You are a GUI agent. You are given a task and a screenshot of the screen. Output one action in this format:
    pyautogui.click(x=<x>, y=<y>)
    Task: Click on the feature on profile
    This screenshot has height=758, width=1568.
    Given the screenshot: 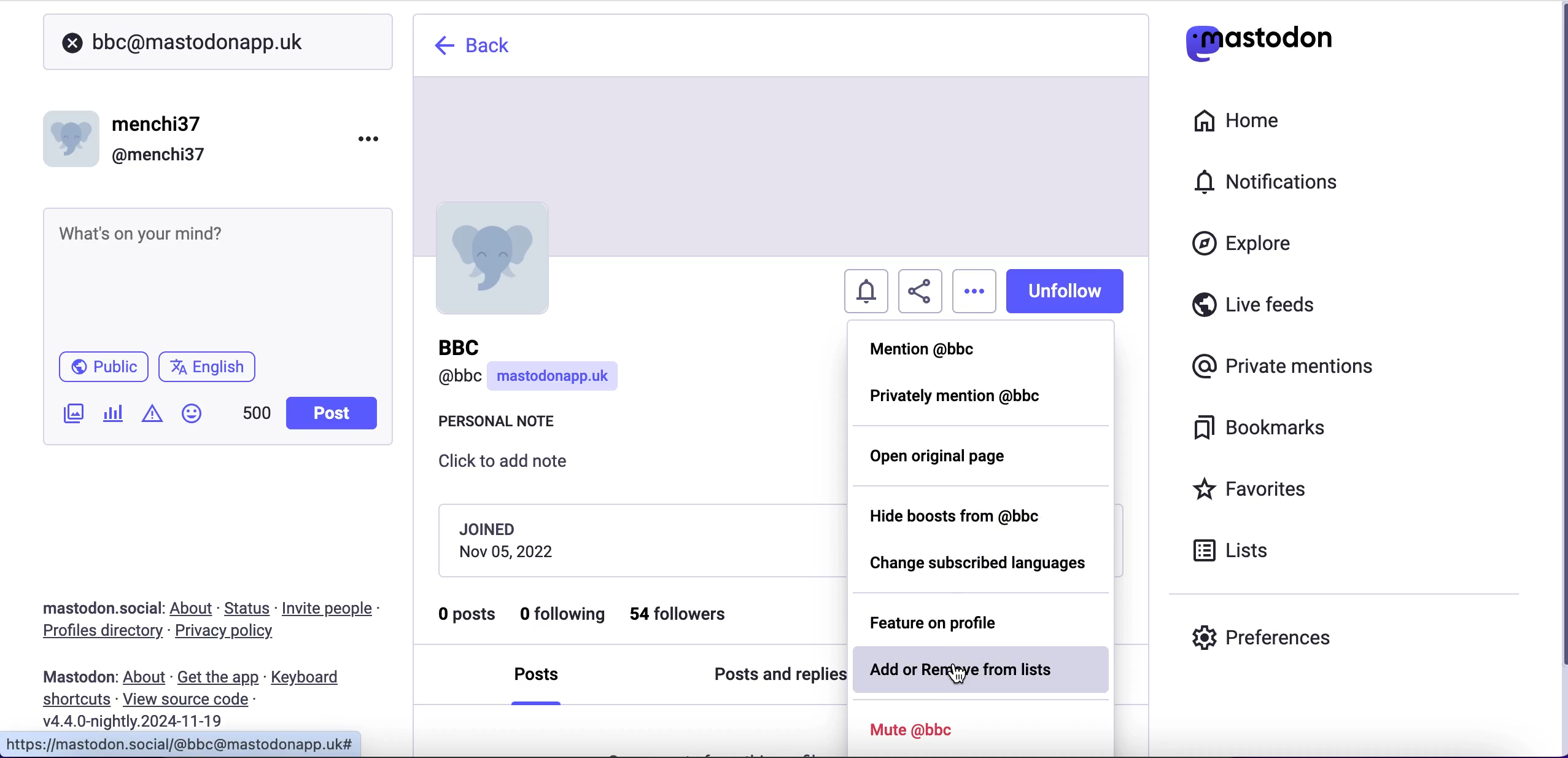 What is the action you would take?
    pyautogui.click(x=955, y=623)
    